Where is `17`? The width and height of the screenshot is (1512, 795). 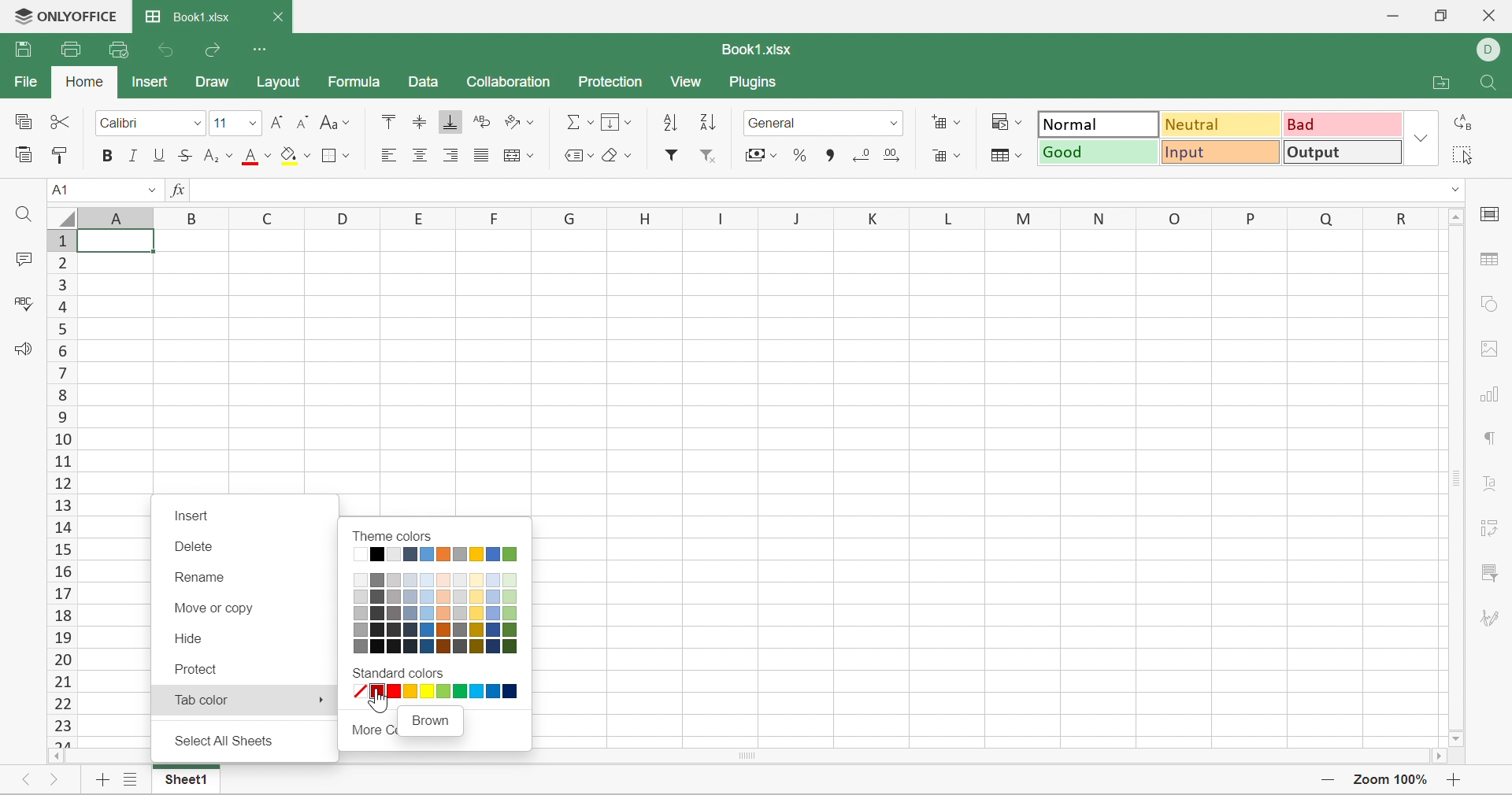 17 is located at coordinates (58, 593).